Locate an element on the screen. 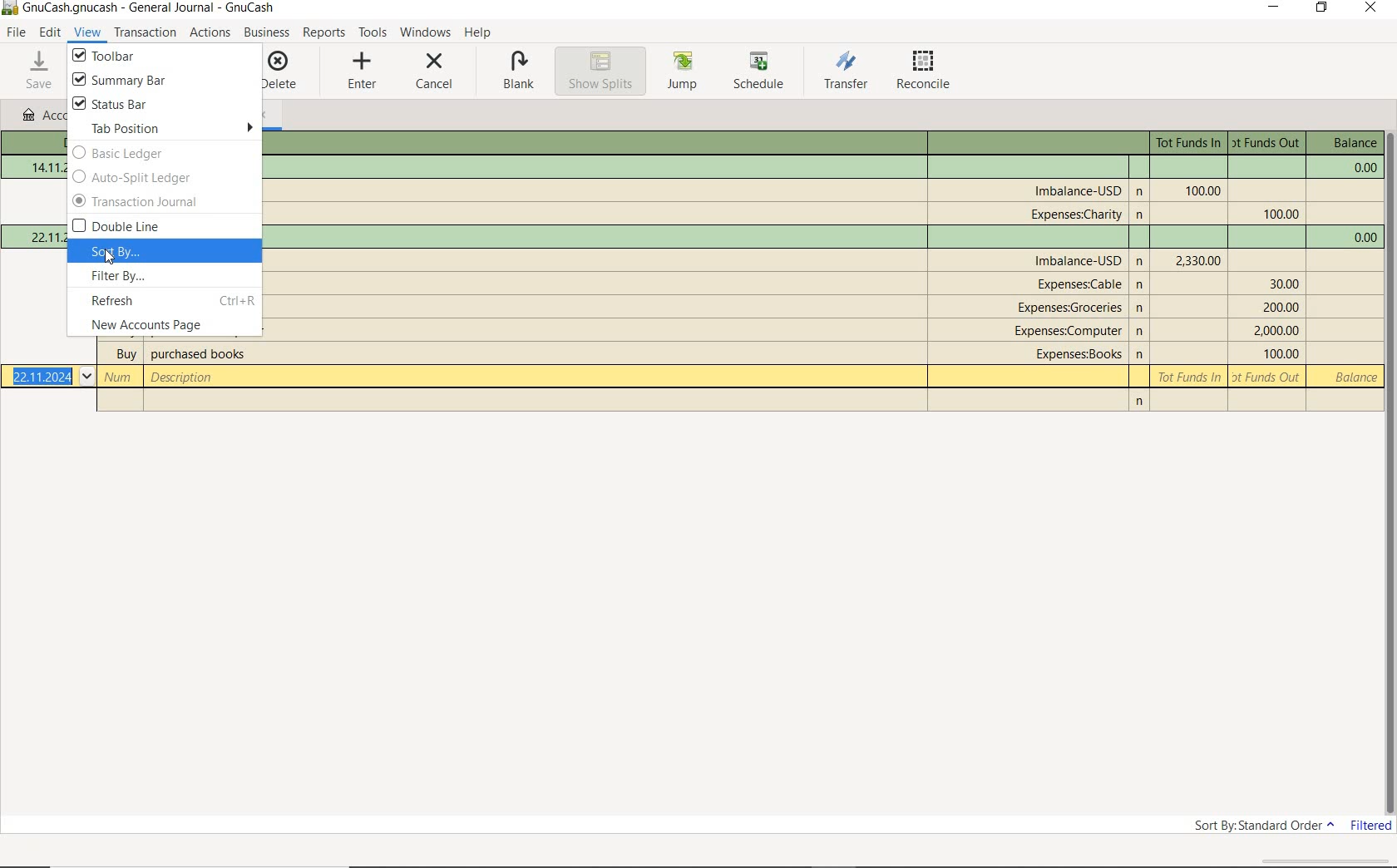 The height and width of the screenshot is (868, 1397). toolbar is located at coordinates (157, 57).